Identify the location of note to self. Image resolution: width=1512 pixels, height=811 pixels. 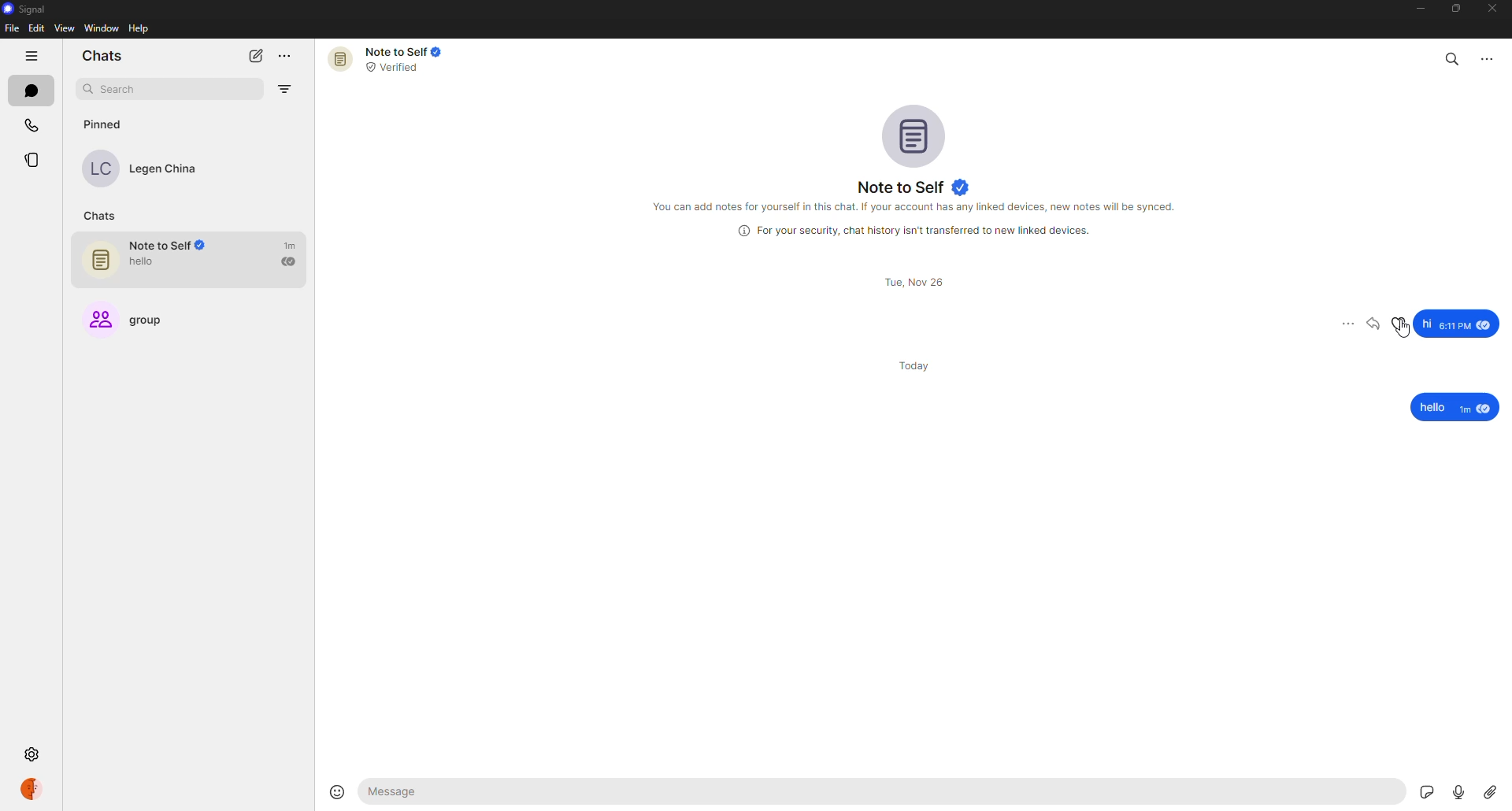
(196, 260).